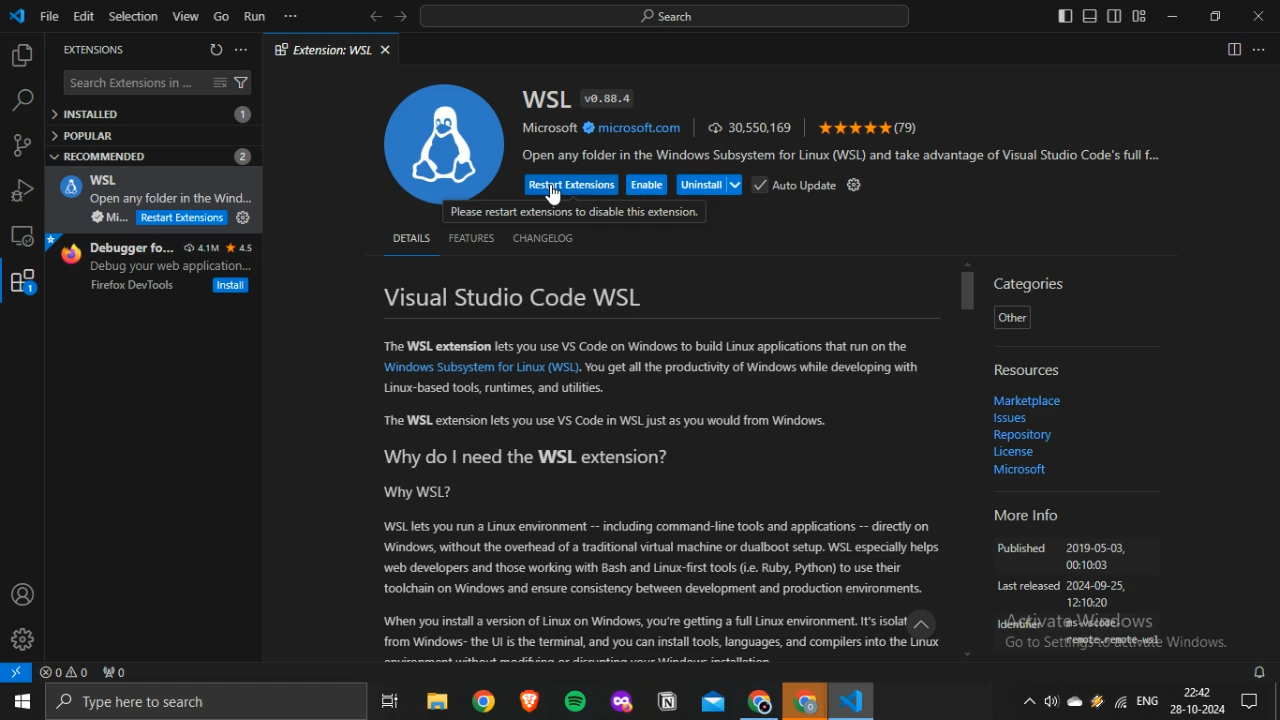 The width and height of the screenshot is (1280, 720). What do you see at coordinates (88, 135) in the screenshot?
I see `POPULAR` at bounding box center [88, 135].